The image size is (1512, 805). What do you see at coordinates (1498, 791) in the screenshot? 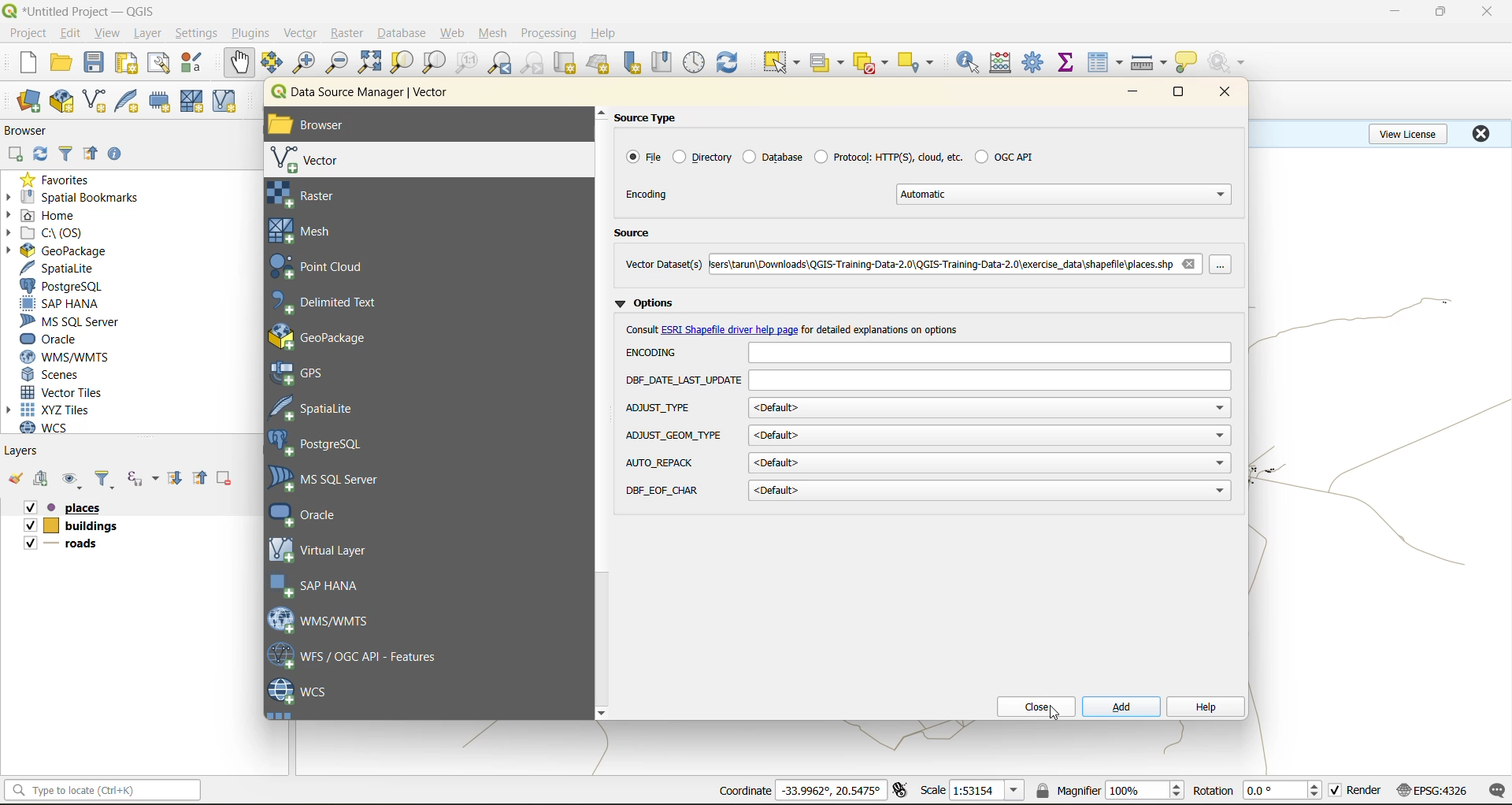
I see `log messages` at bounding box center [1498, 791].